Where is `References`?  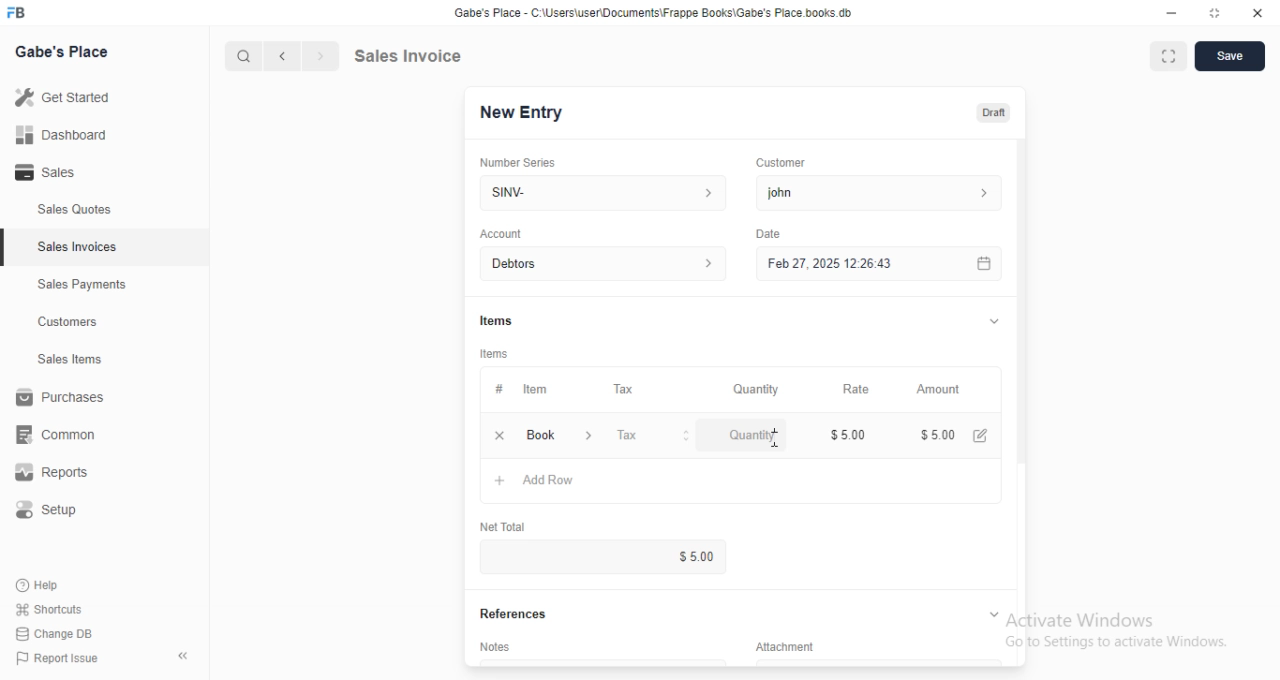 References is located at coordinates (510, 615).